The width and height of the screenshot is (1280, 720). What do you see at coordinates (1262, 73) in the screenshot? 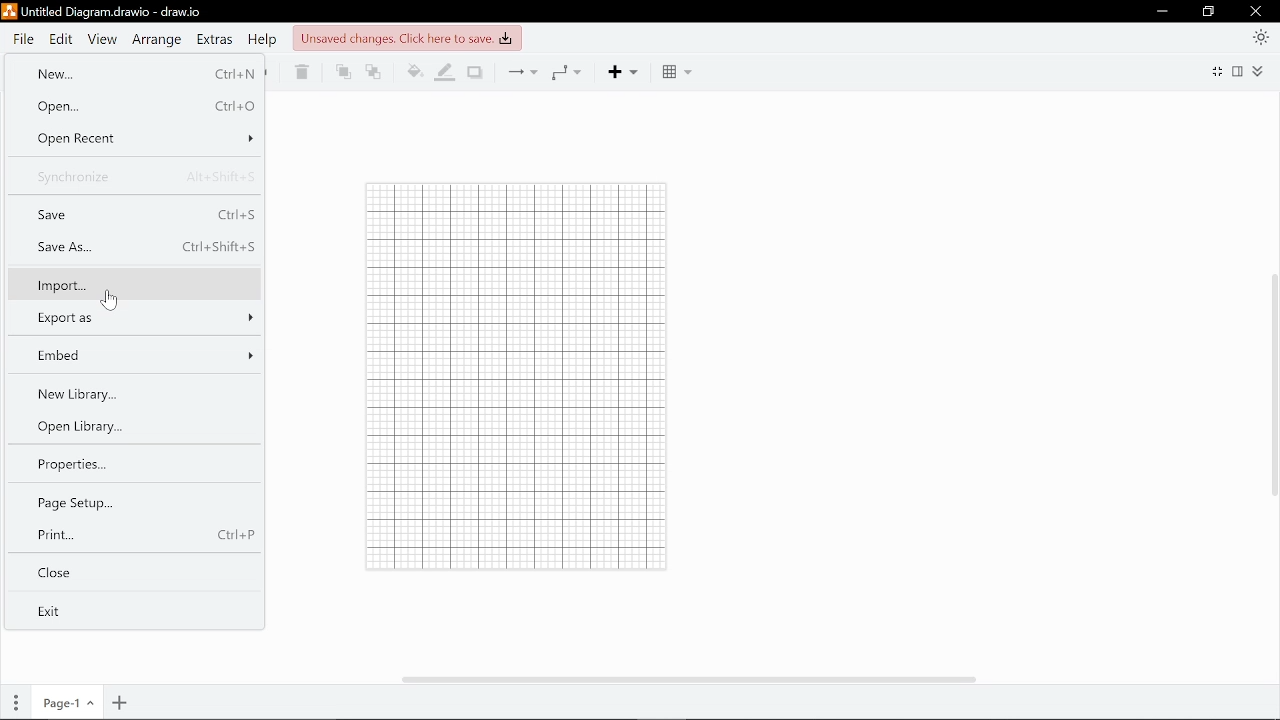
I see `Expand/collapse` at bounding box center [1262, 73].